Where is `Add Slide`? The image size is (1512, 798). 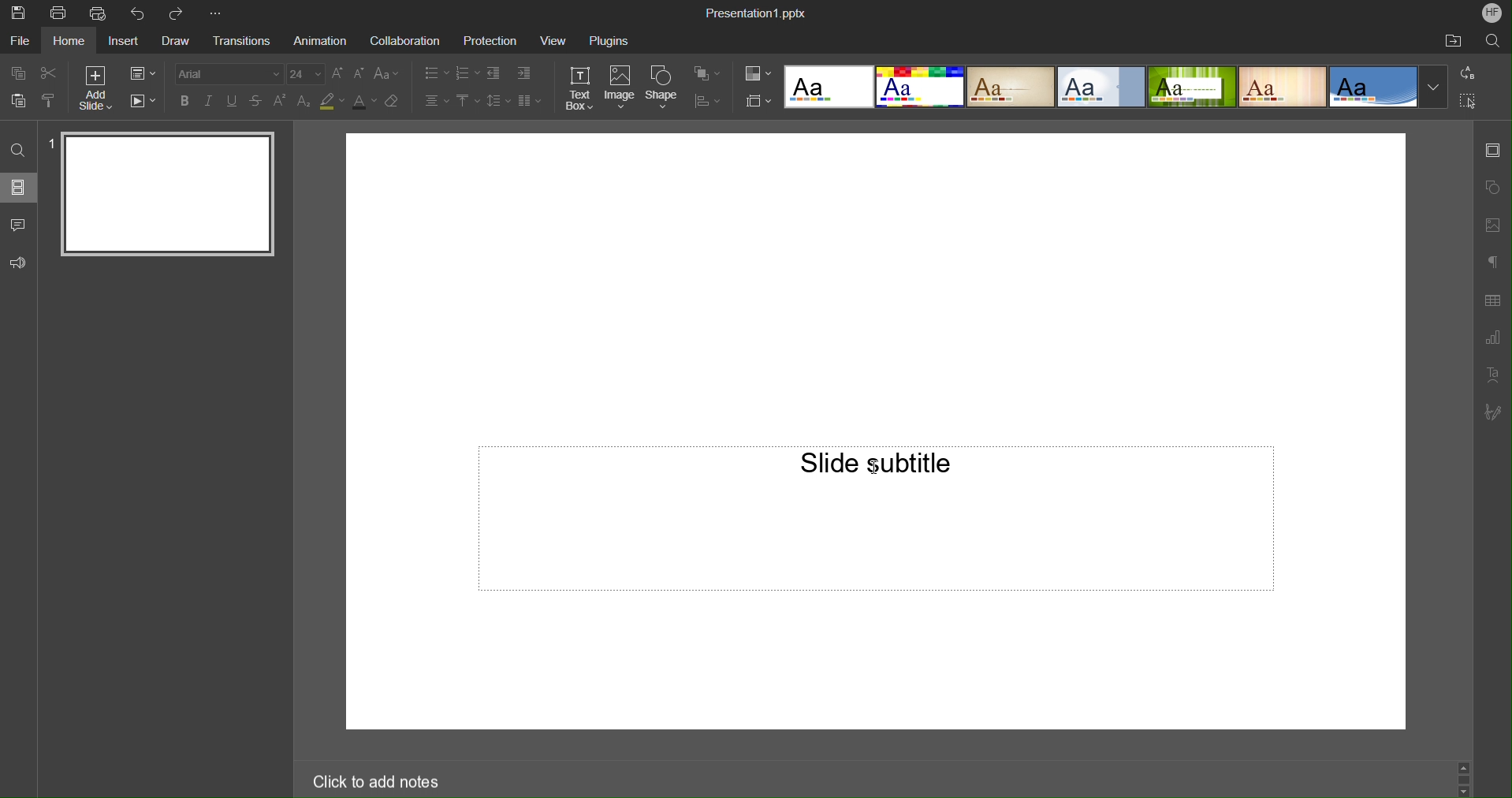
Add Slide is located at coordinates (95, 87).